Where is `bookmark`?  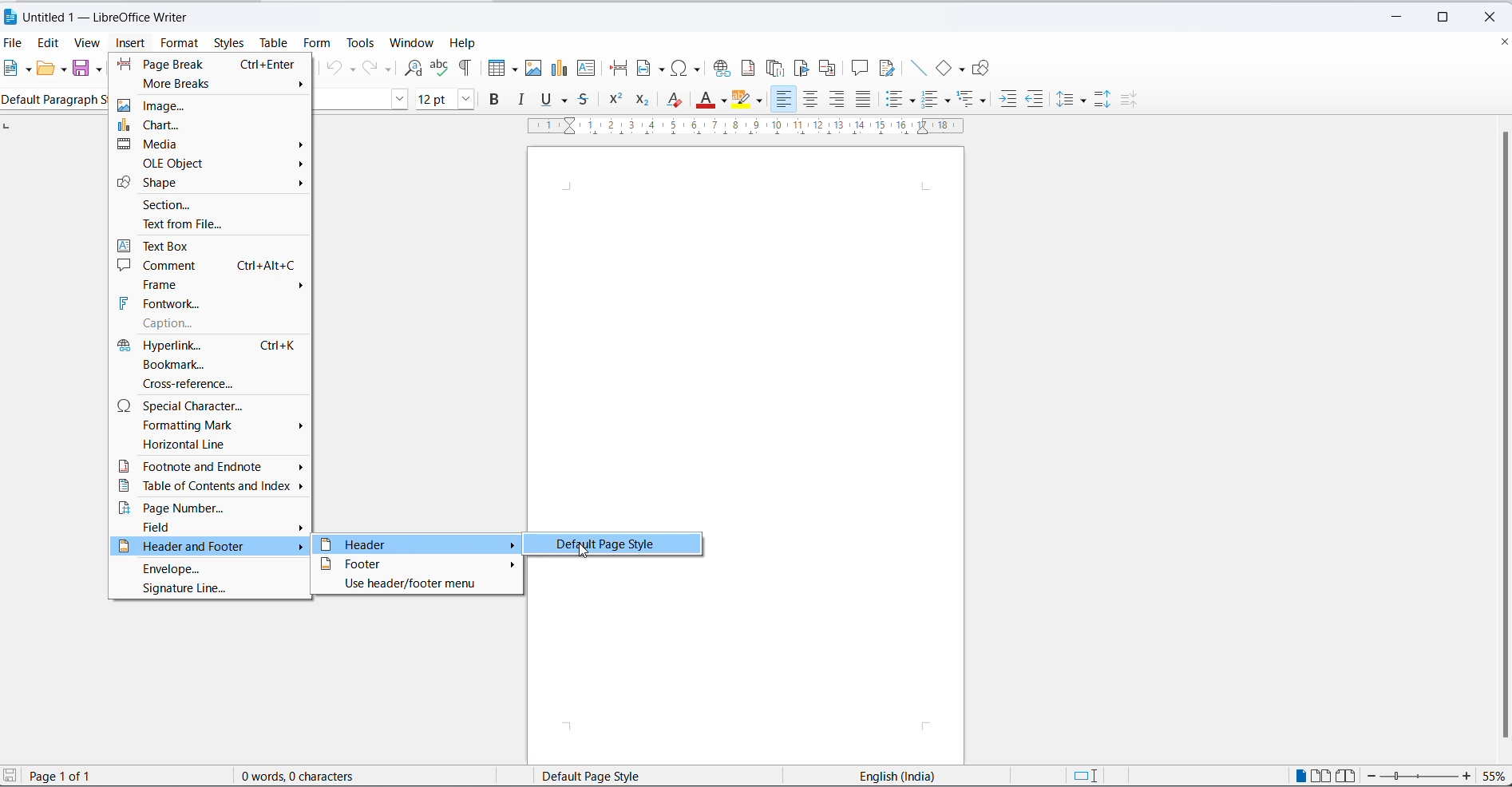 bookmark is located at coordinates (212, 364).